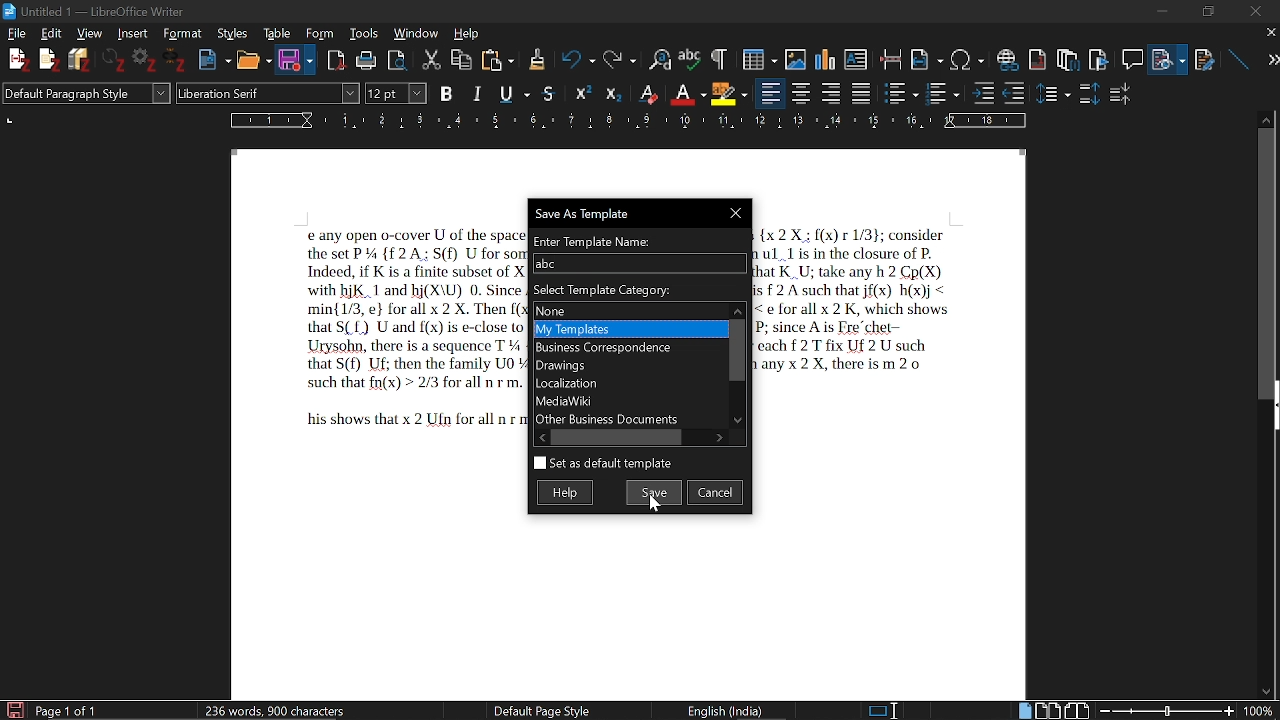 This screenshot has width=1280, height=720. Describe the element at coordinates (1051, 709) in the screenshot. I see `Multiple pages` at that location.